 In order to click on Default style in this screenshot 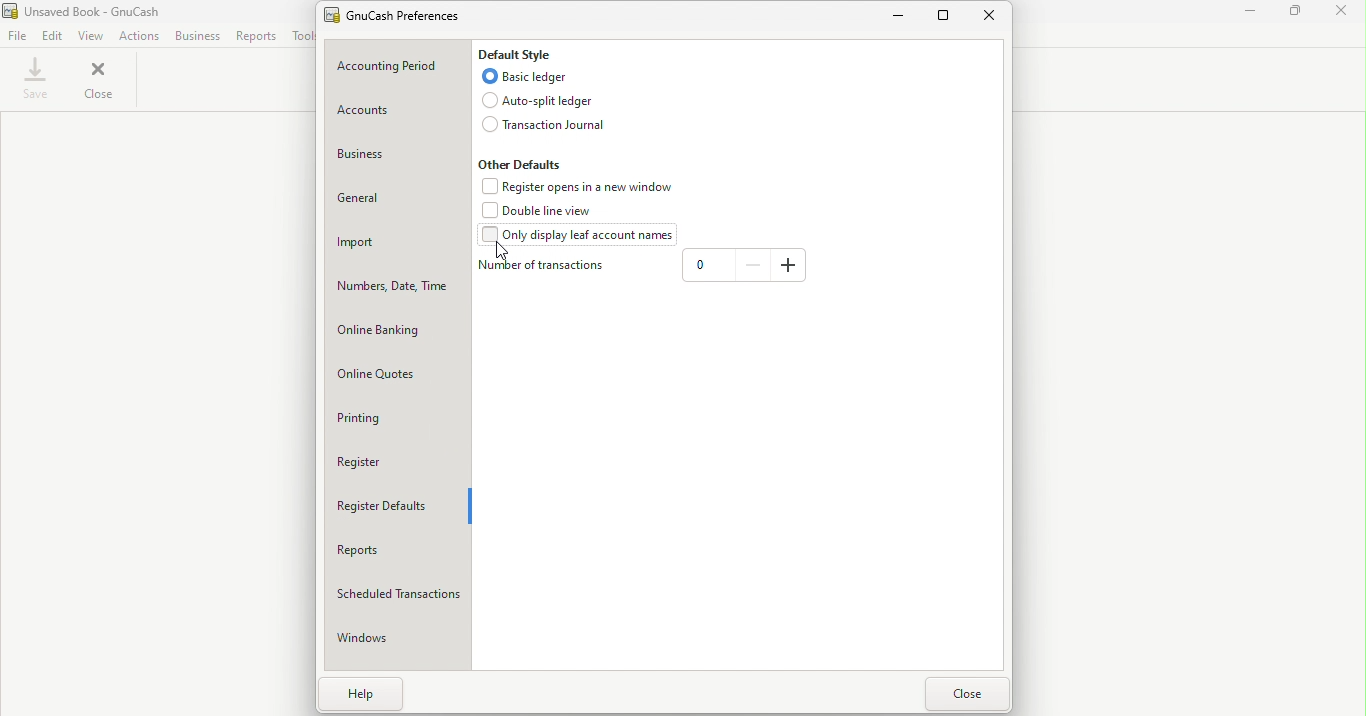, I will do `click(520, 53)`.